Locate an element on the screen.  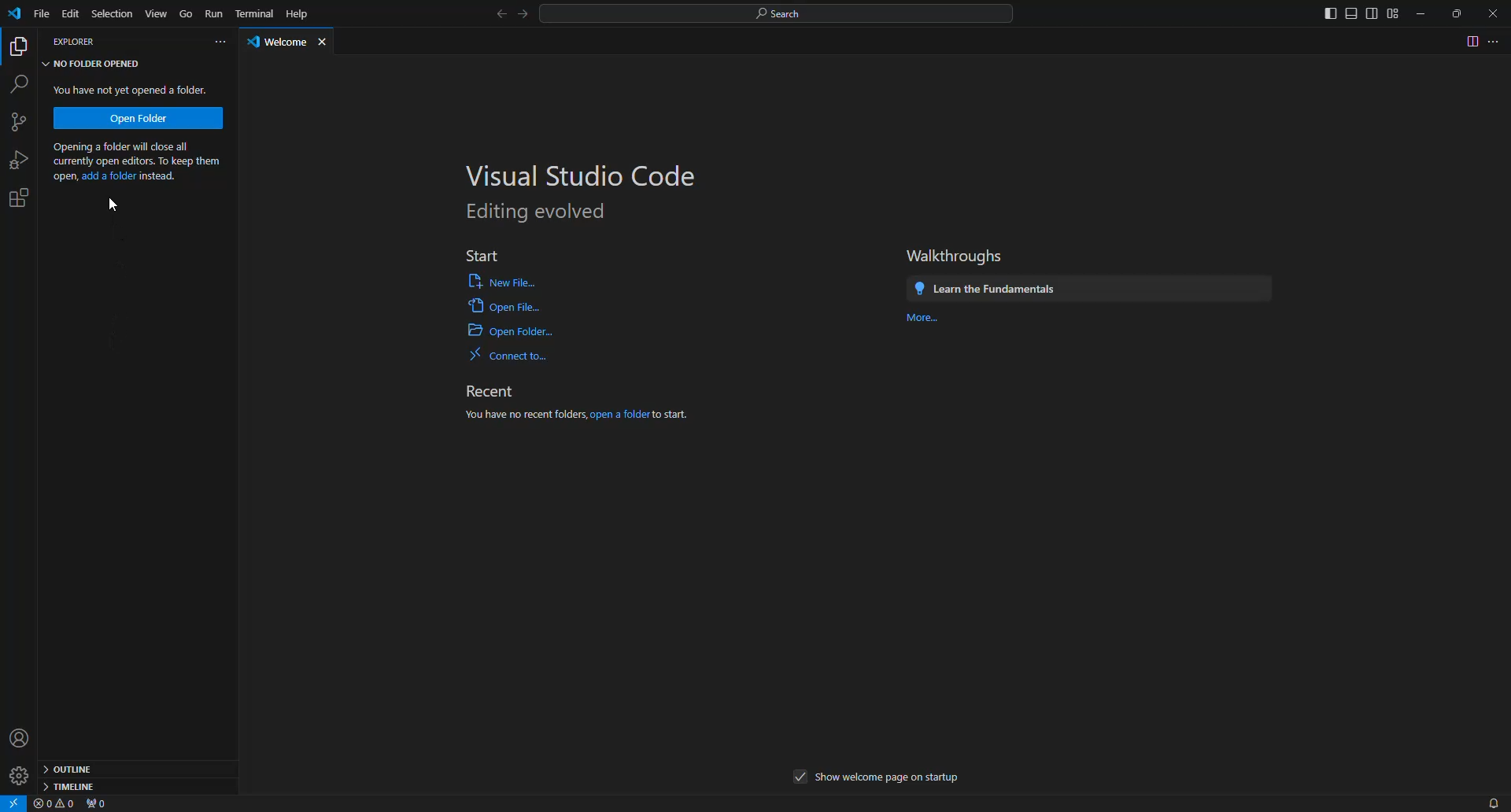
more actions is located at coordinates (1497, 41).